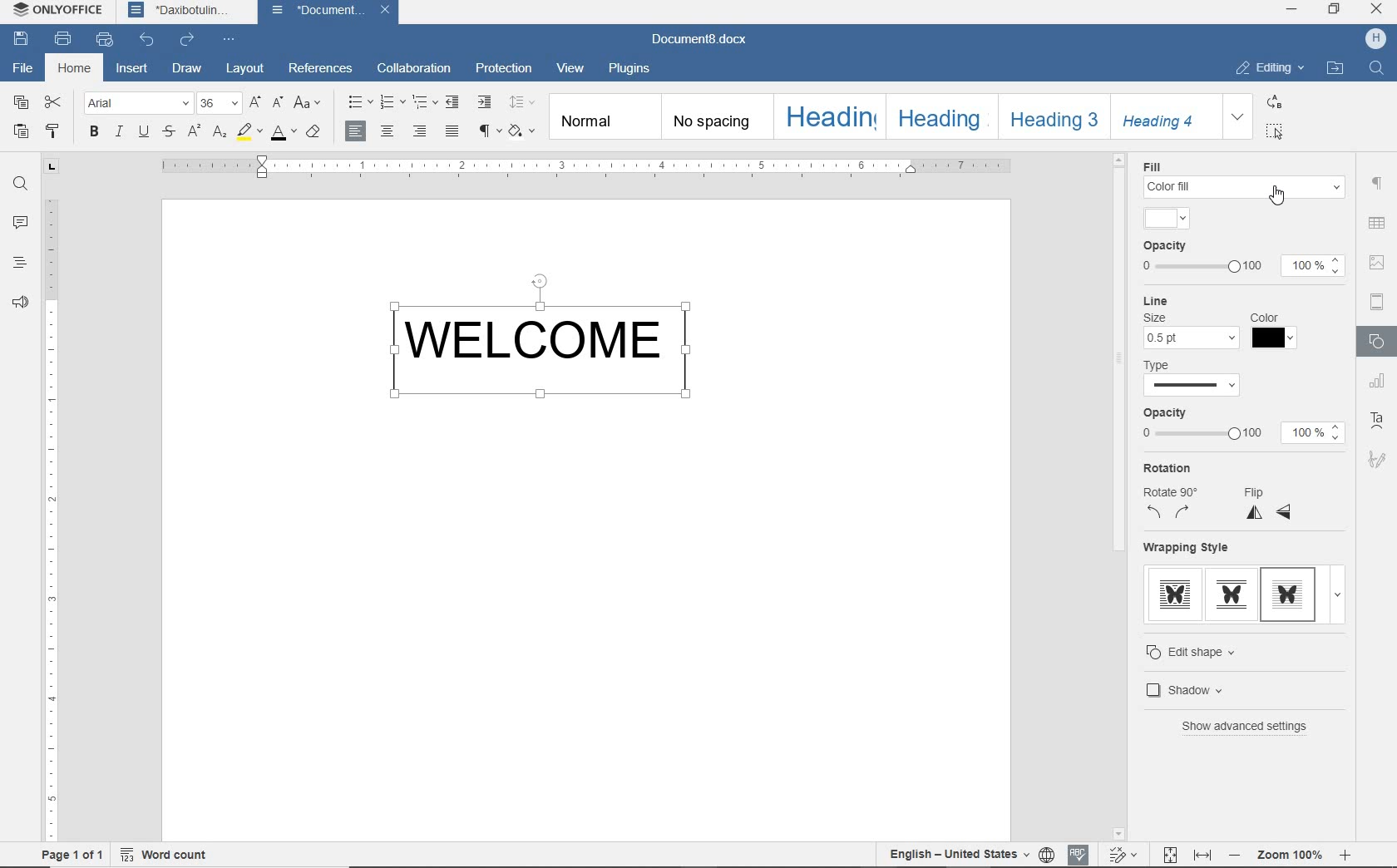 Image resolution: width=1397 pixels, height=868 pixels. Describe the element at coordinates (1305, 266) in the screenshot. I see `100 %` at that location.